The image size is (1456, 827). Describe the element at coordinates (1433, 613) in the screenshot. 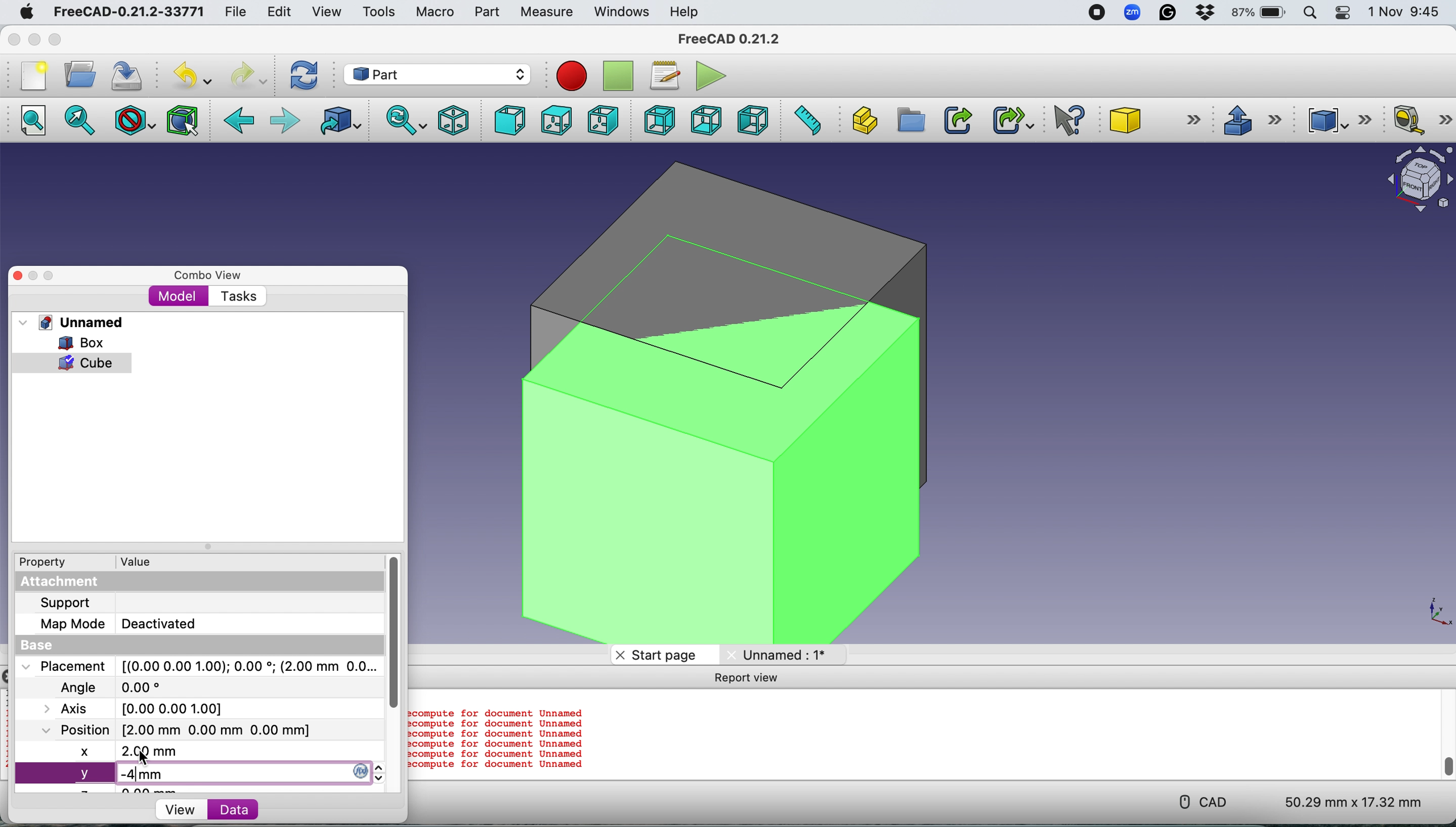

I see `x-y plane` at that location.